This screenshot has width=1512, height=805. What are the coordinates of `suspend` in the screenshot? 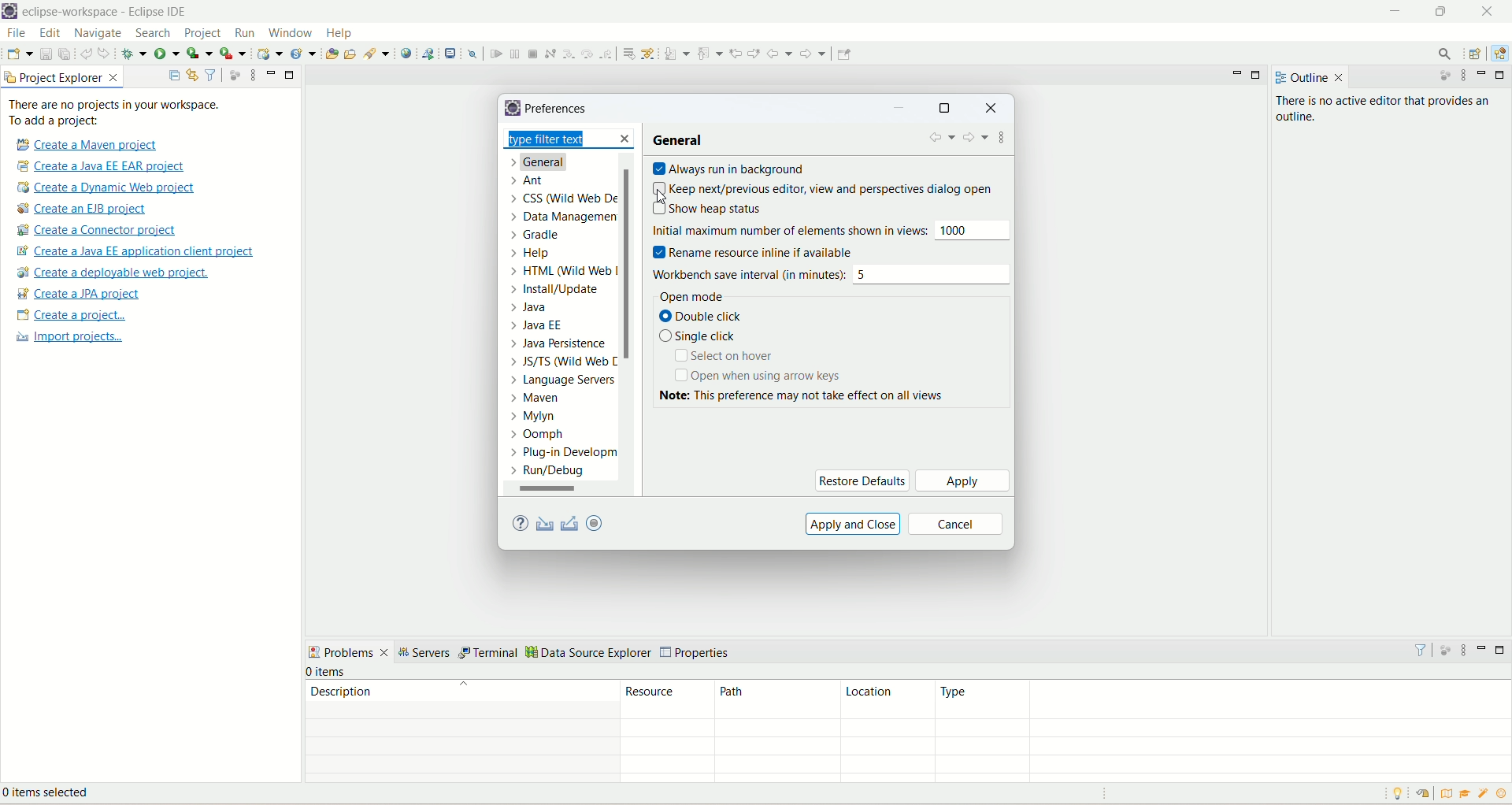 It's located at (513, 52).